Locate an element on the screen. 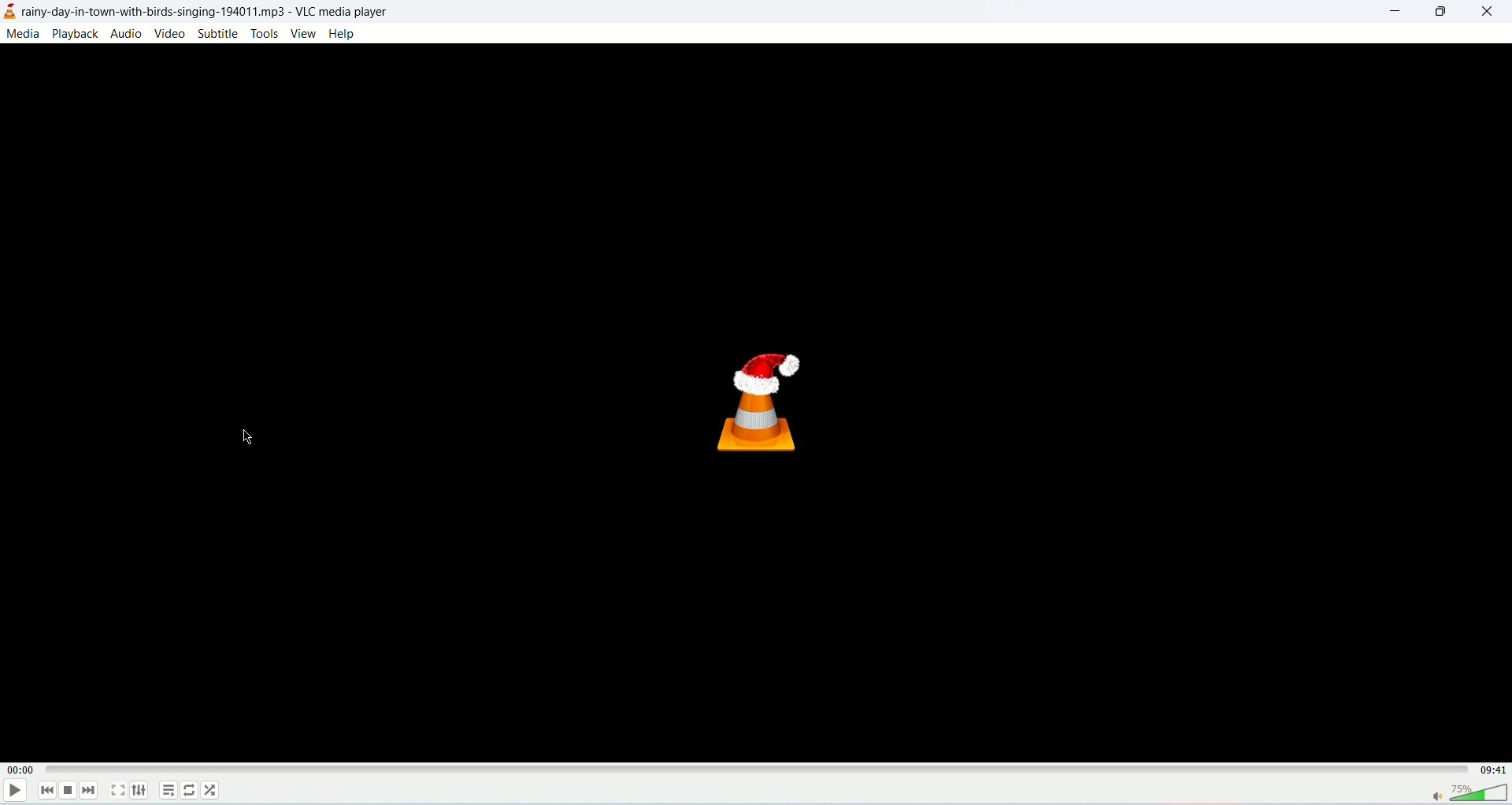 The image size is (1512, 805). video is located at coordinates (172, 35).